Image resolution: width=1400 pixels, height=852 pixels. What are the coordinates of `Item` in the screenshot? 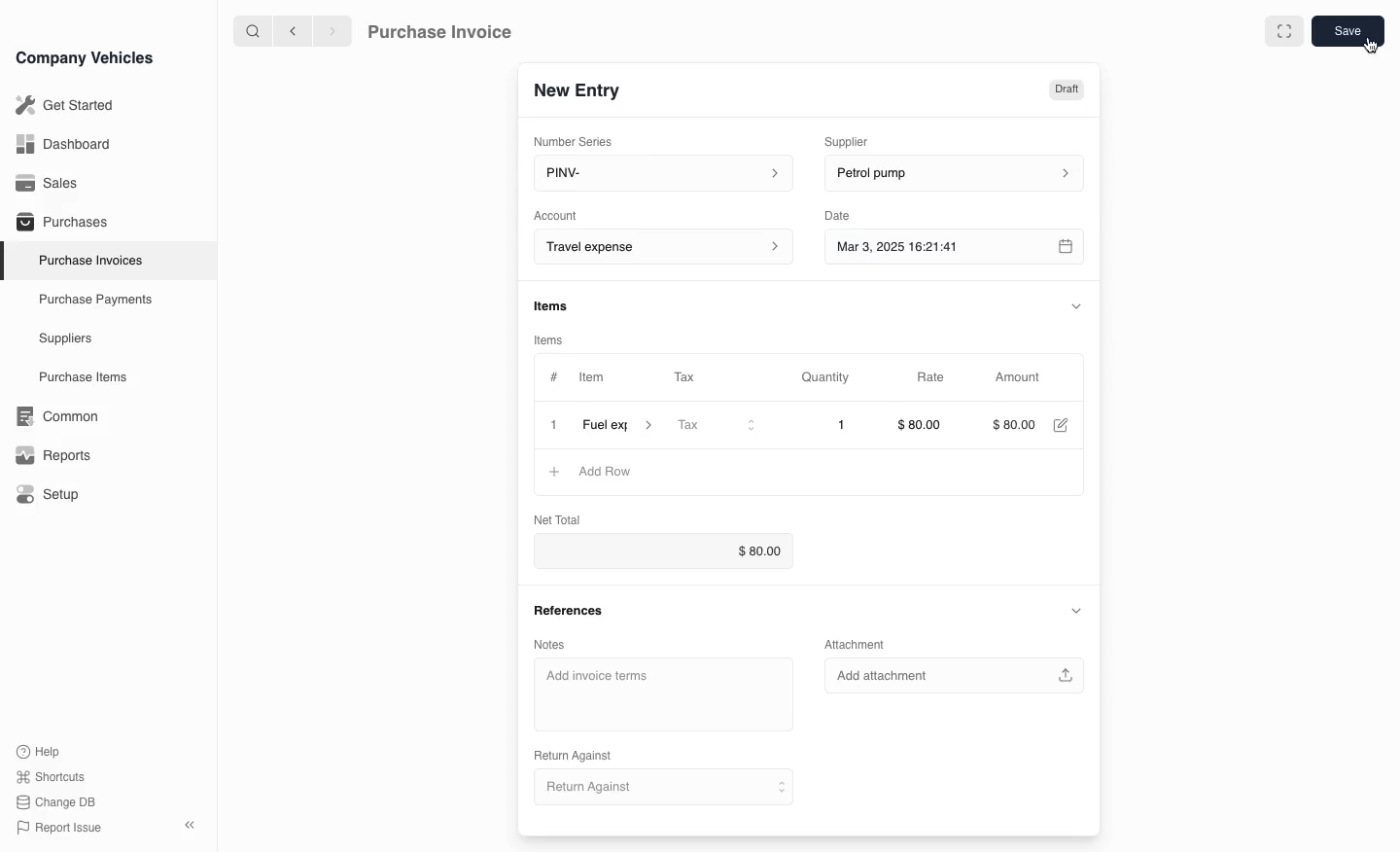 It's located at (590, 379).